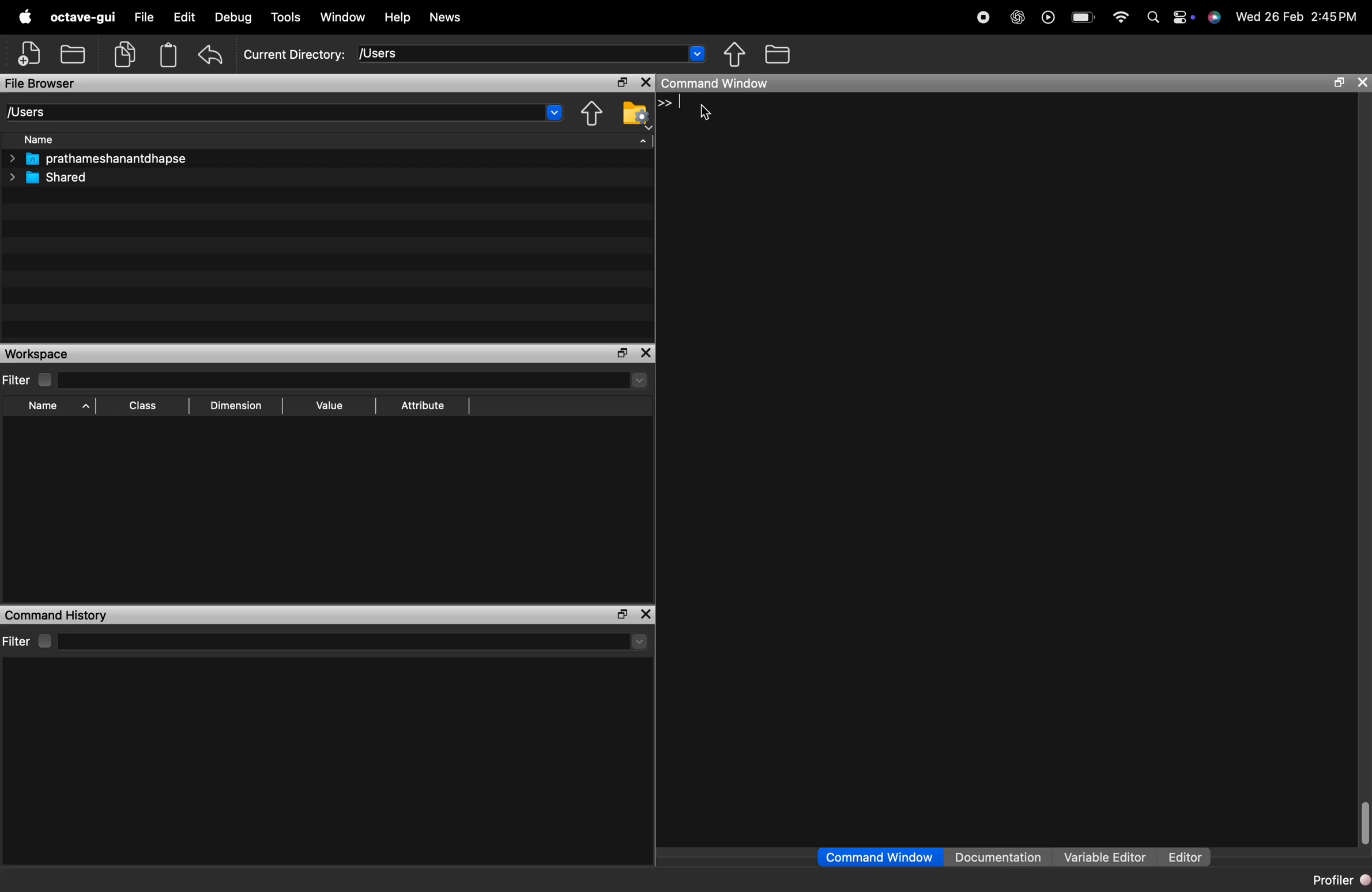  What do you see at coordinates (284, 16) in the screenshot?
I see `Tools` at bounding box center [284, 16].